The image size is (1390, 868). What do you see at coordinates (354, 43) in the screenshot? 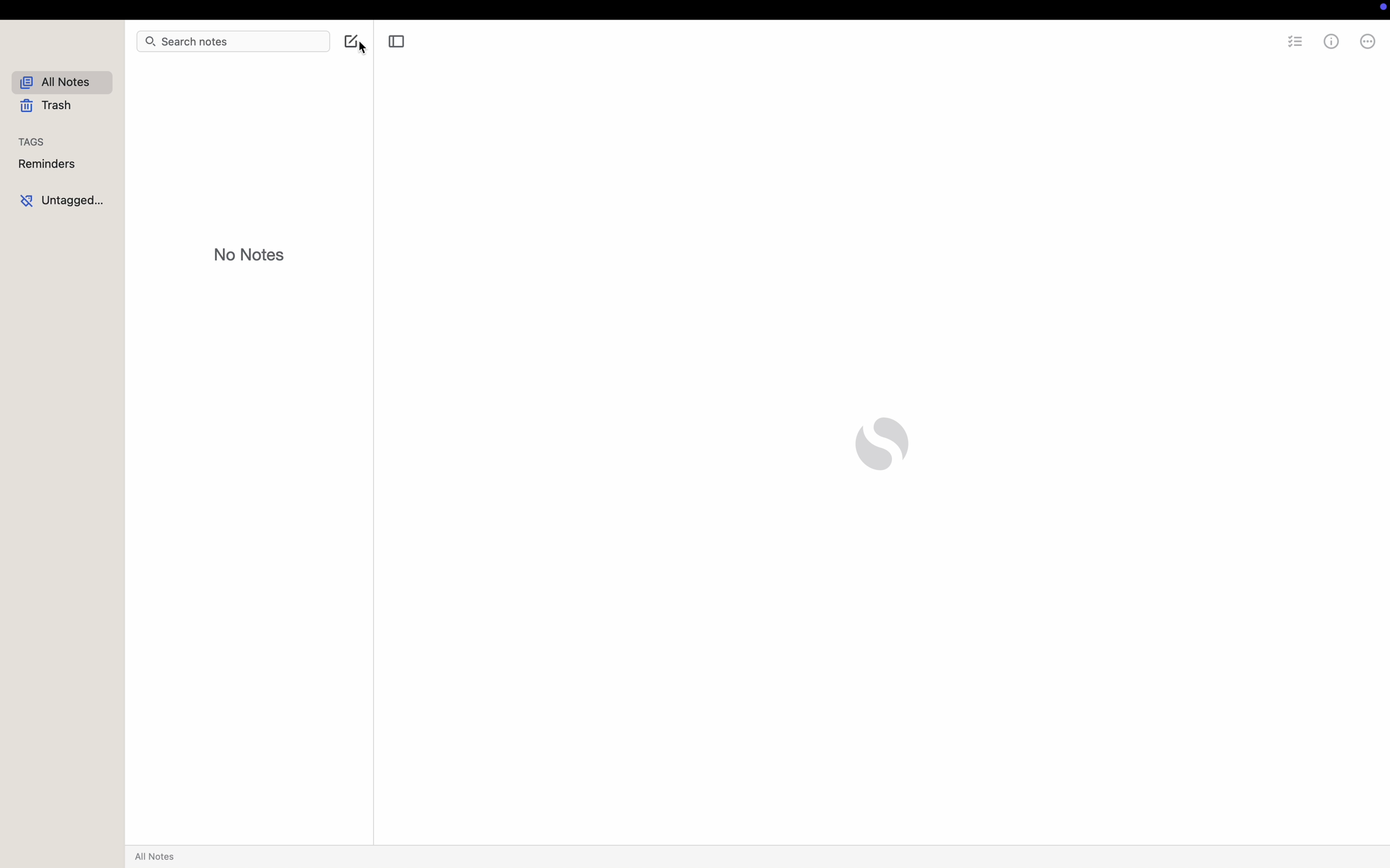
I see `click on create note` at bounding box center [354, 43].